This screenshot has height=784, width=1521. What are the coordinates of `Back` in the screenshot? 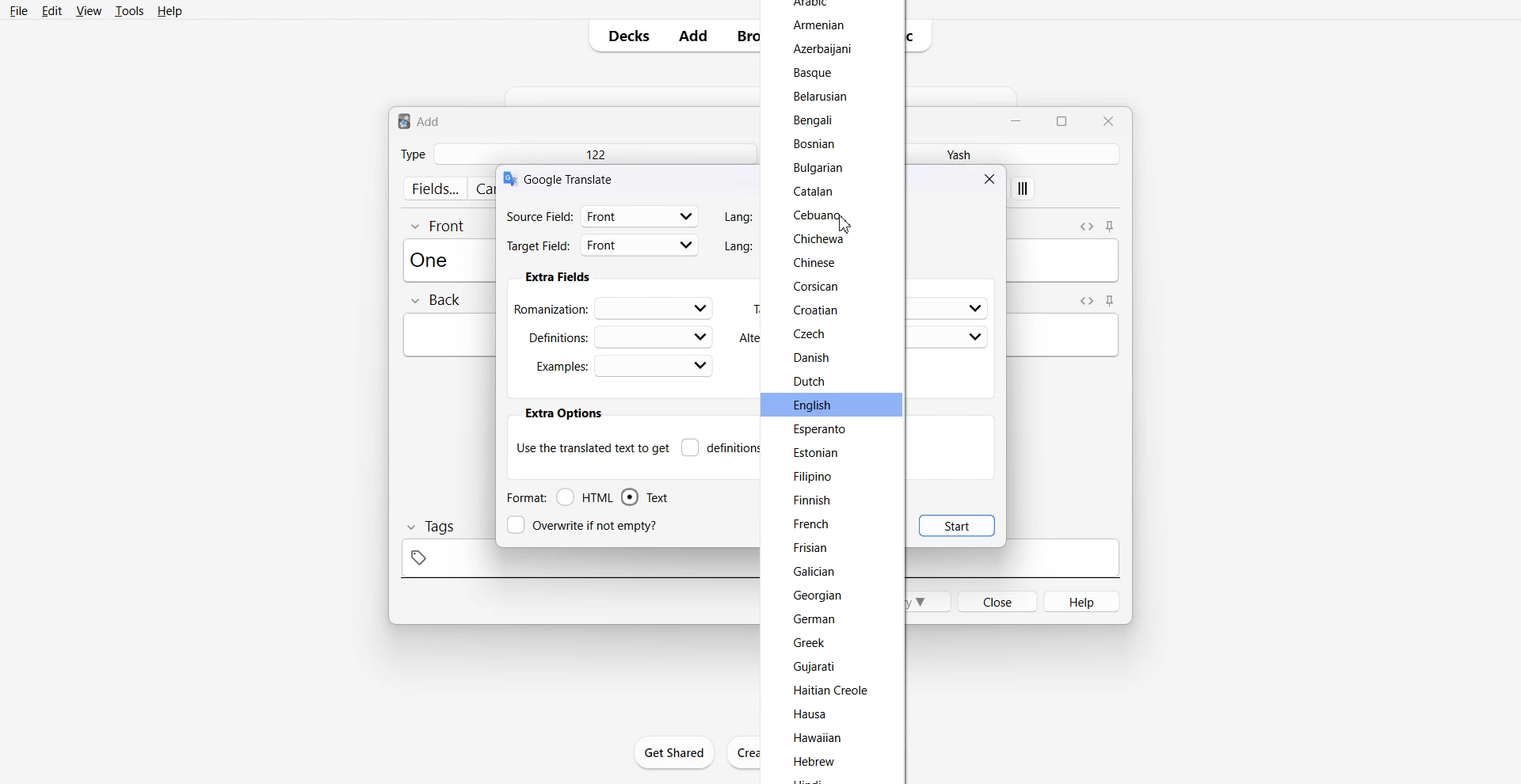 It's located at (435, 301).